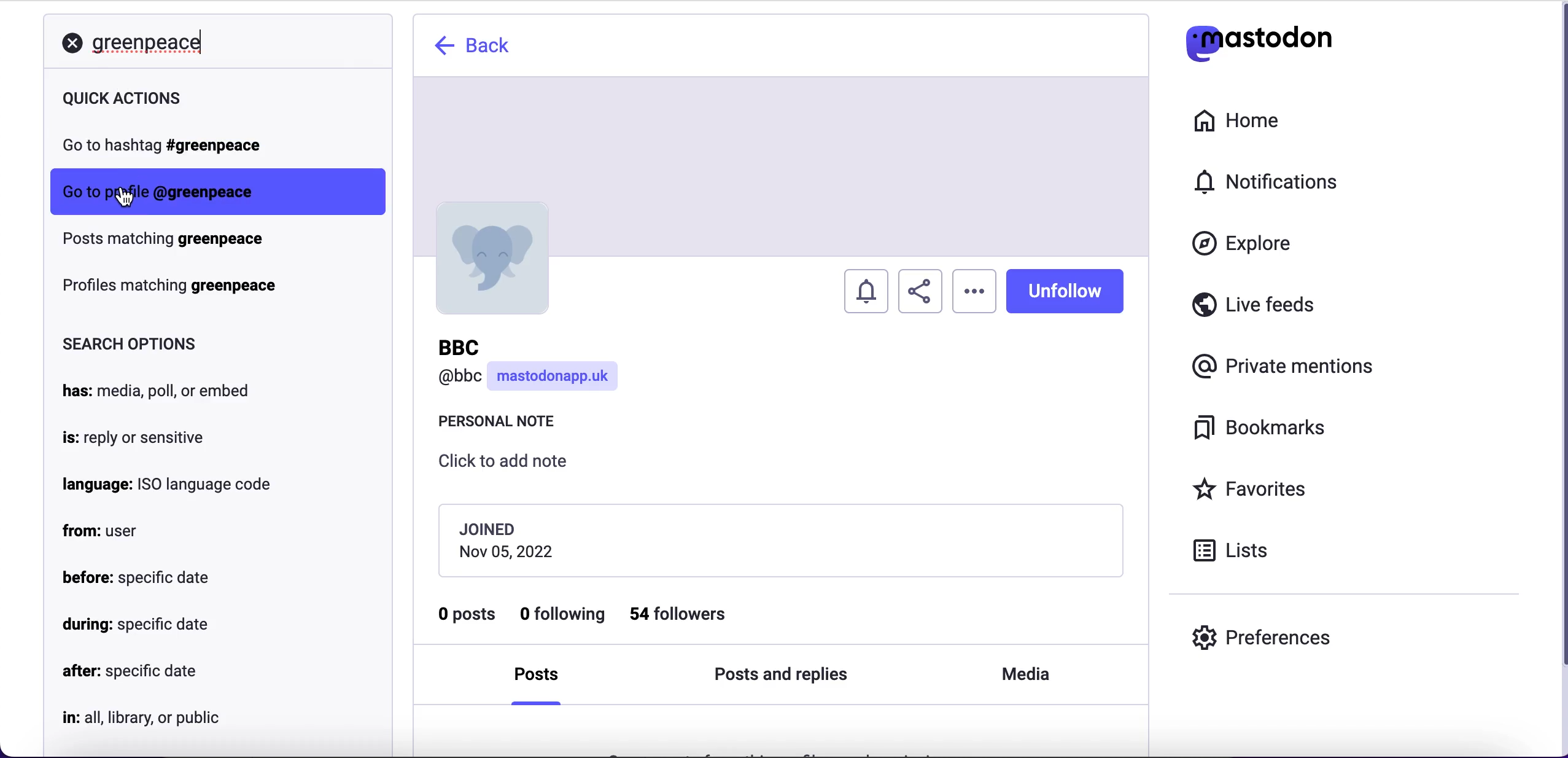  What do you see at coordinates (1287, 363) in the screenshot?
I see `private mentions` at bounding box center [1287, 363].